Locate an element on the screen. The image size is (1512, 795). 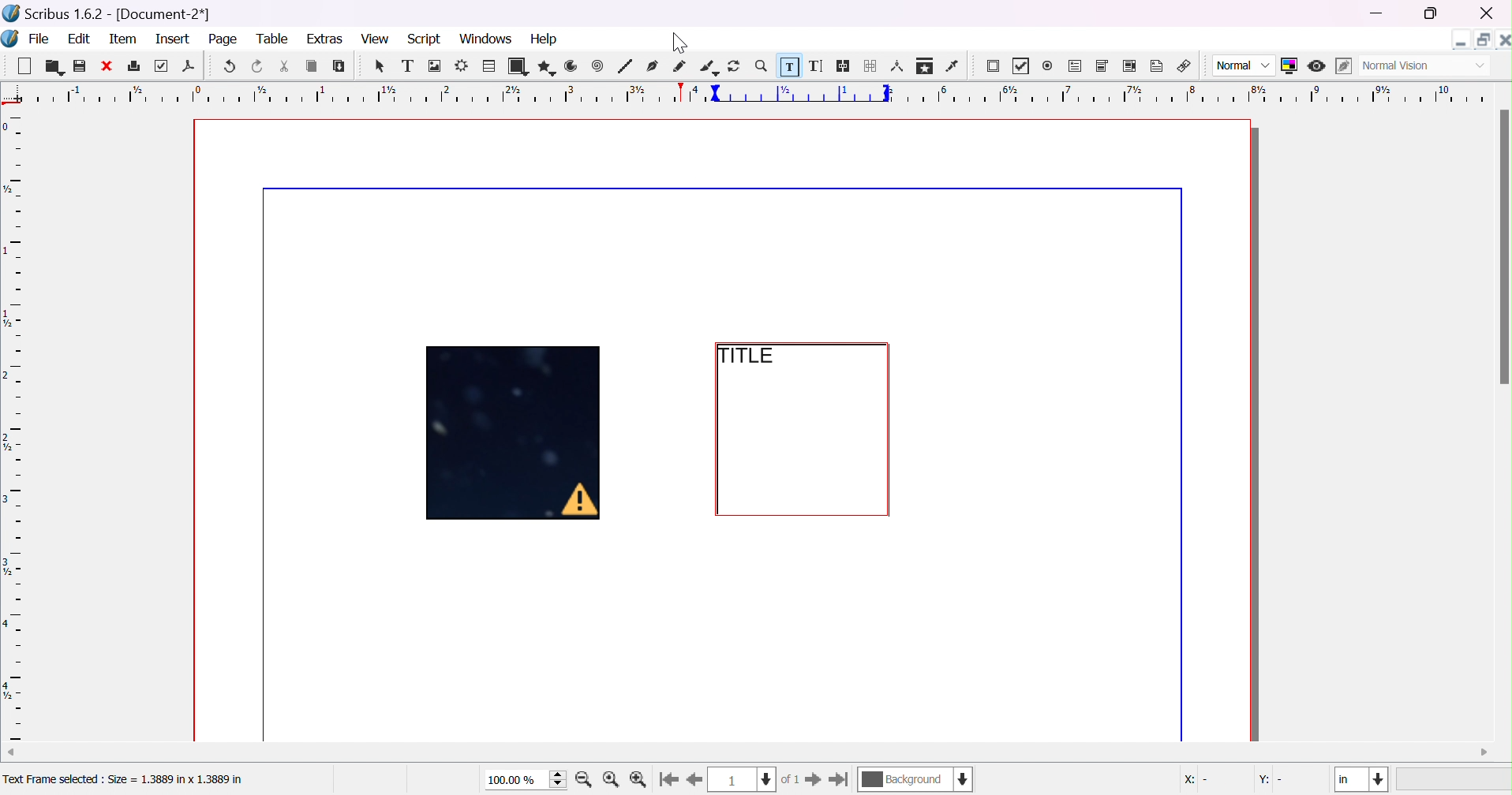
restore down is located at coordinates (1432, 15).